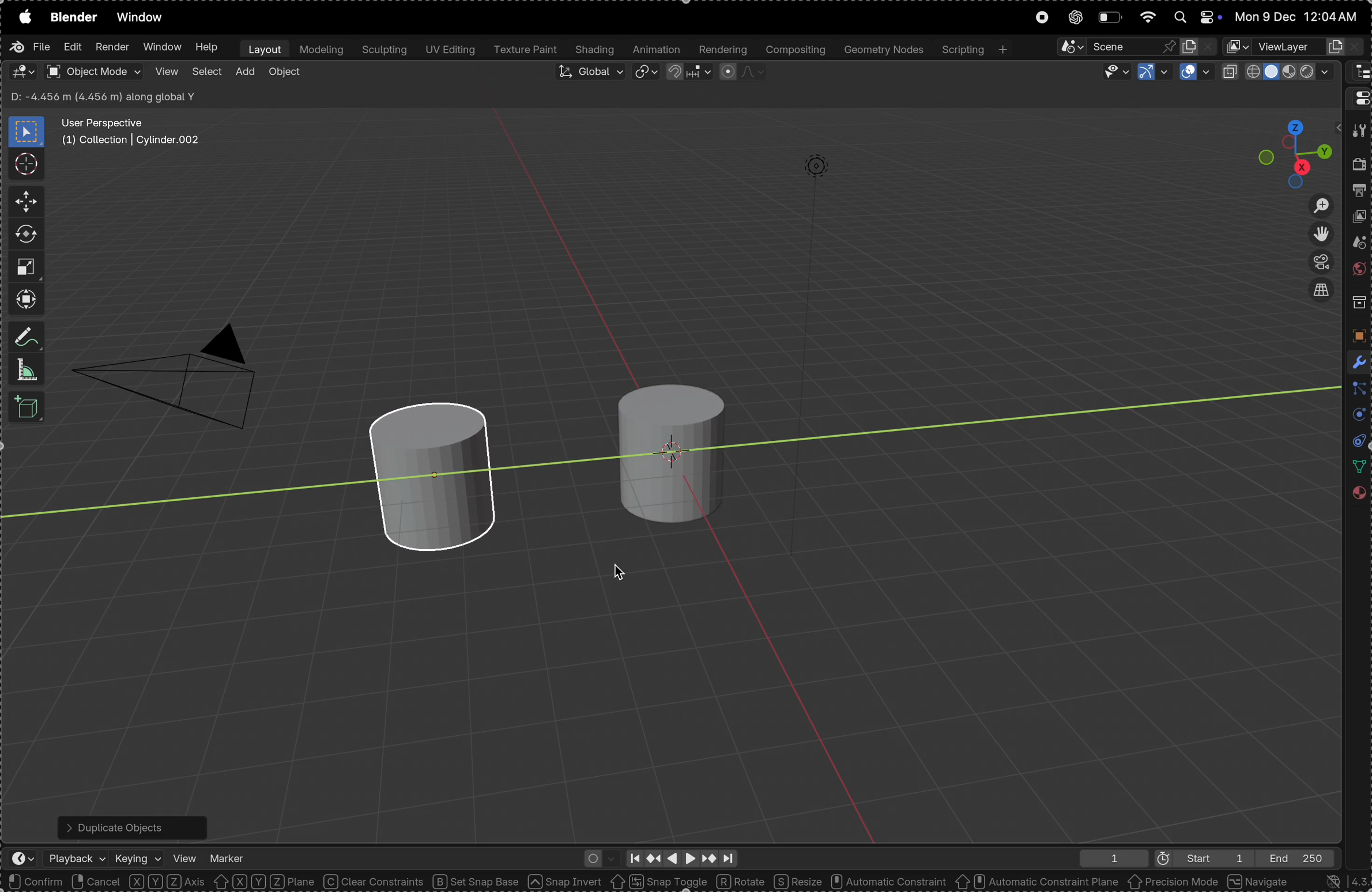  What do you see at coordinates (73, 17) in the screenshot?
I see `Blender` at bounding box center [73, 17].